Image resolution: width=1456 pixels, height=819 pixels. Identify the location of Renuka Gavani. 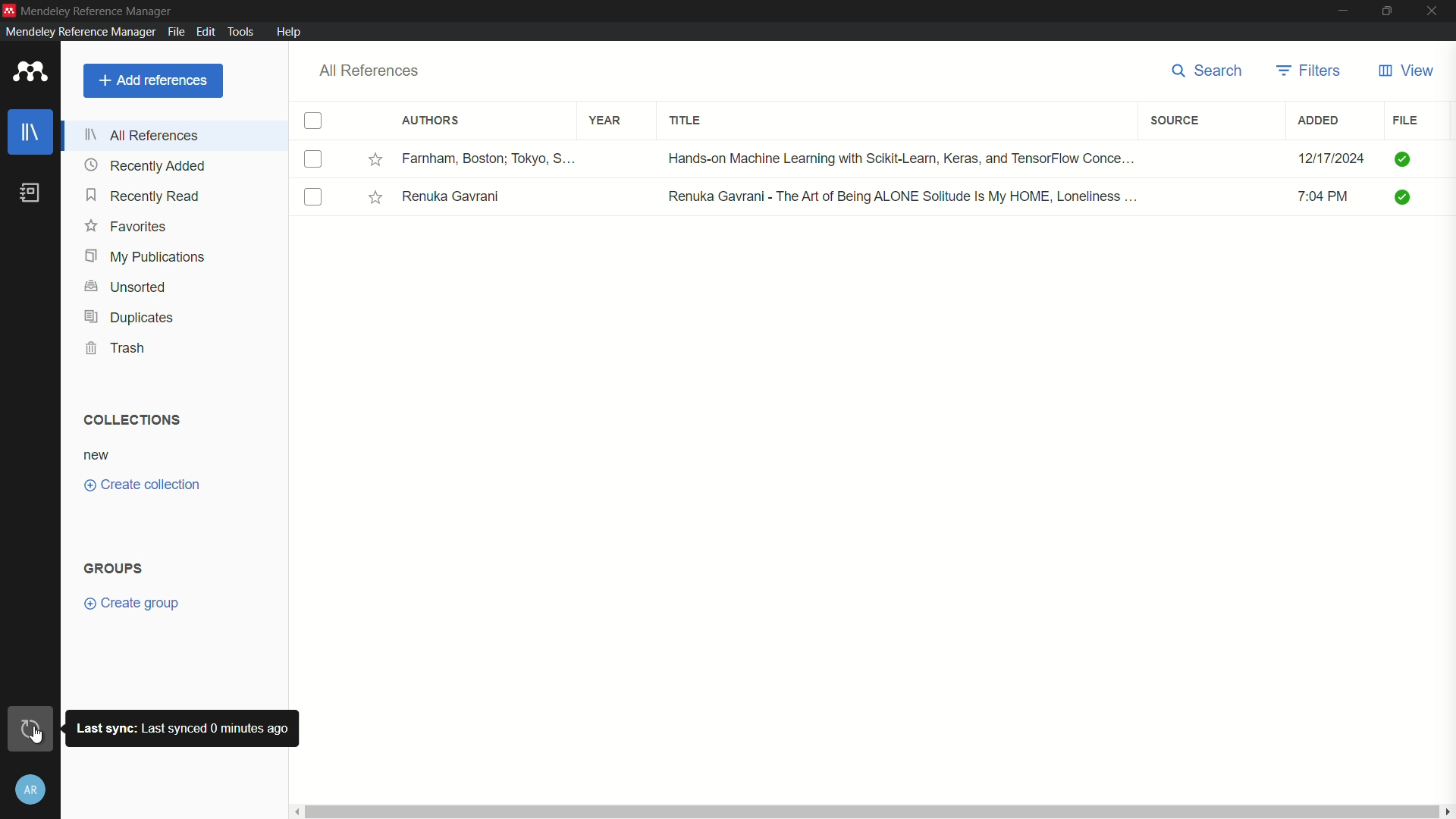
(455, 199).